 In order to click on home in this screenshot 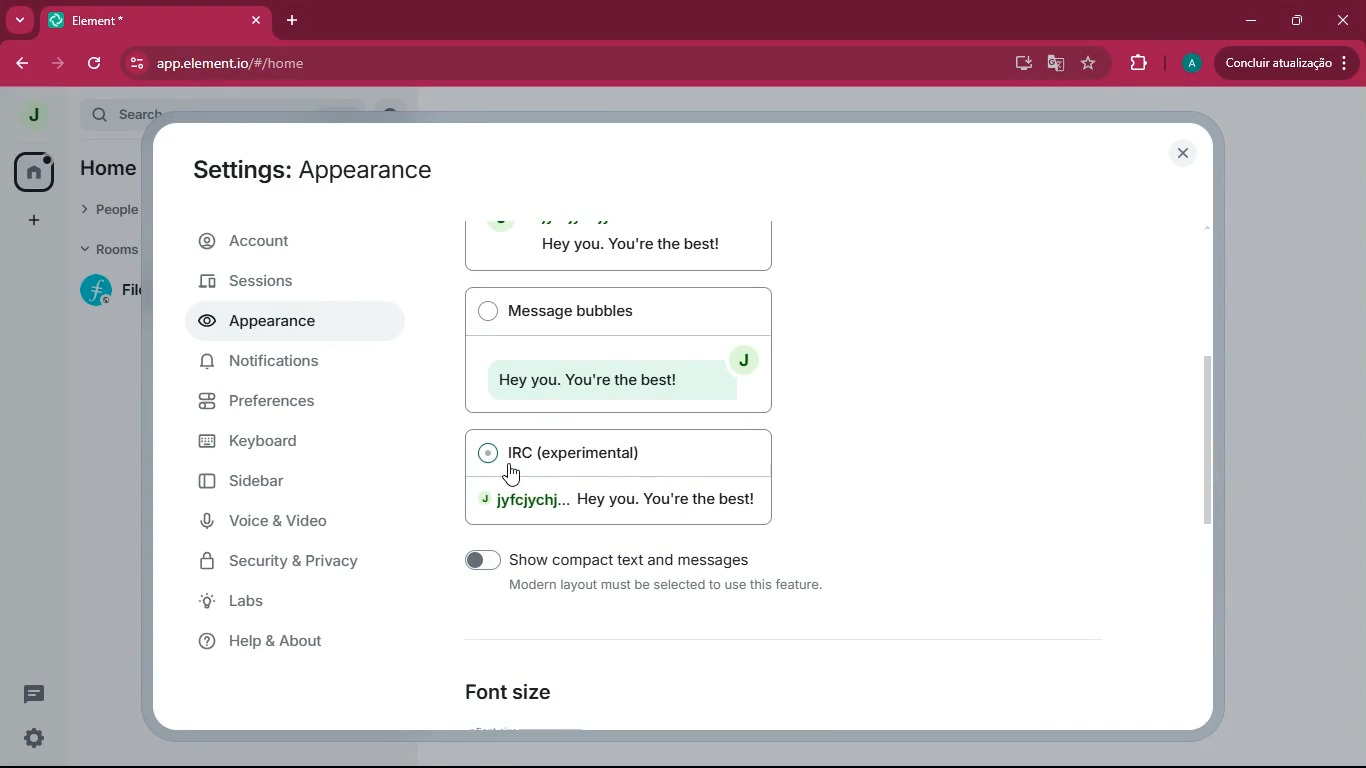, I will do `click(112, 168)`.